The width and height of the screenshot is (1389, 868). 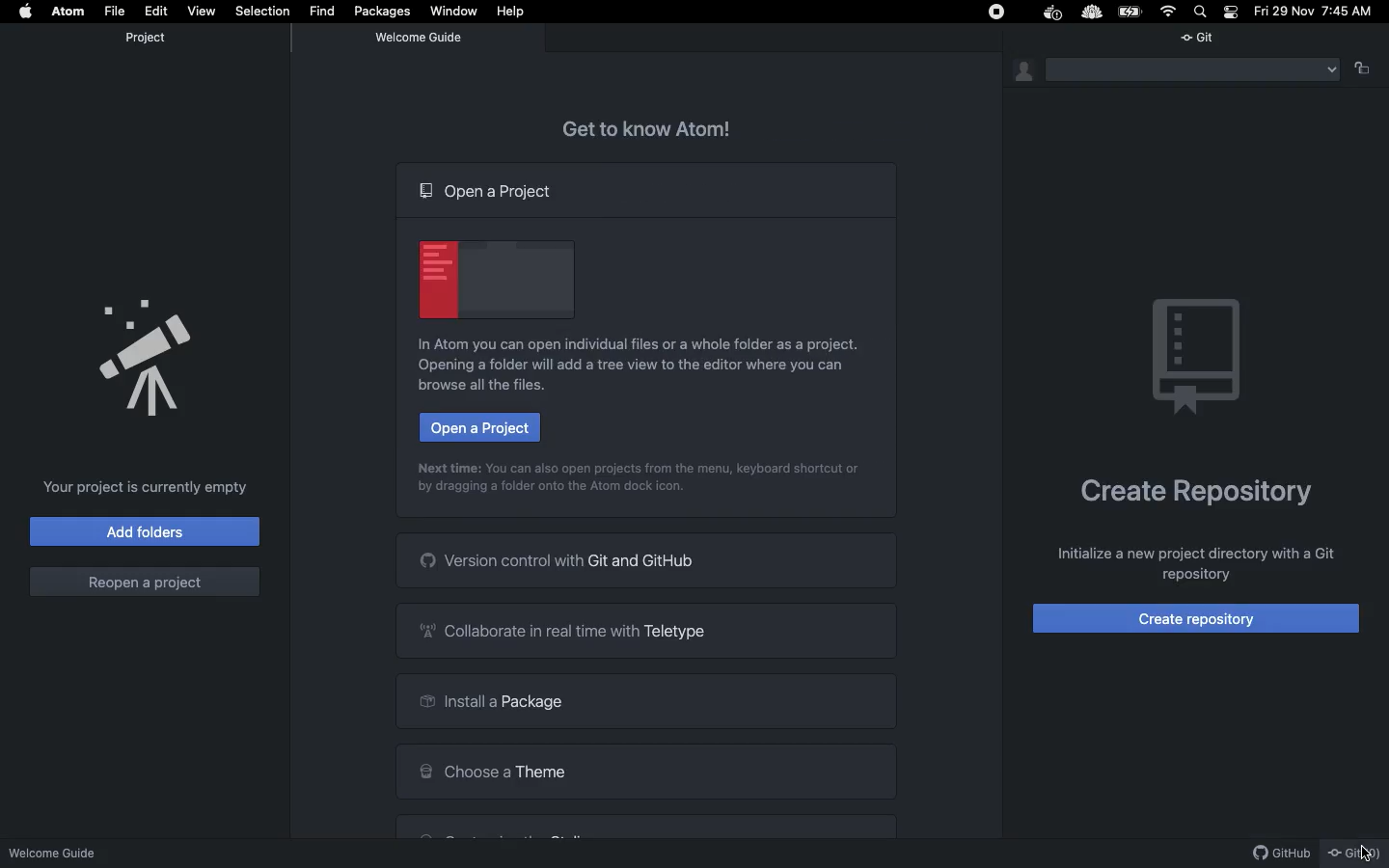 What do you see at coordinates (148, 488) in the screenshot?
I see `Your project is currently empty` at bounding box center [148, 488].